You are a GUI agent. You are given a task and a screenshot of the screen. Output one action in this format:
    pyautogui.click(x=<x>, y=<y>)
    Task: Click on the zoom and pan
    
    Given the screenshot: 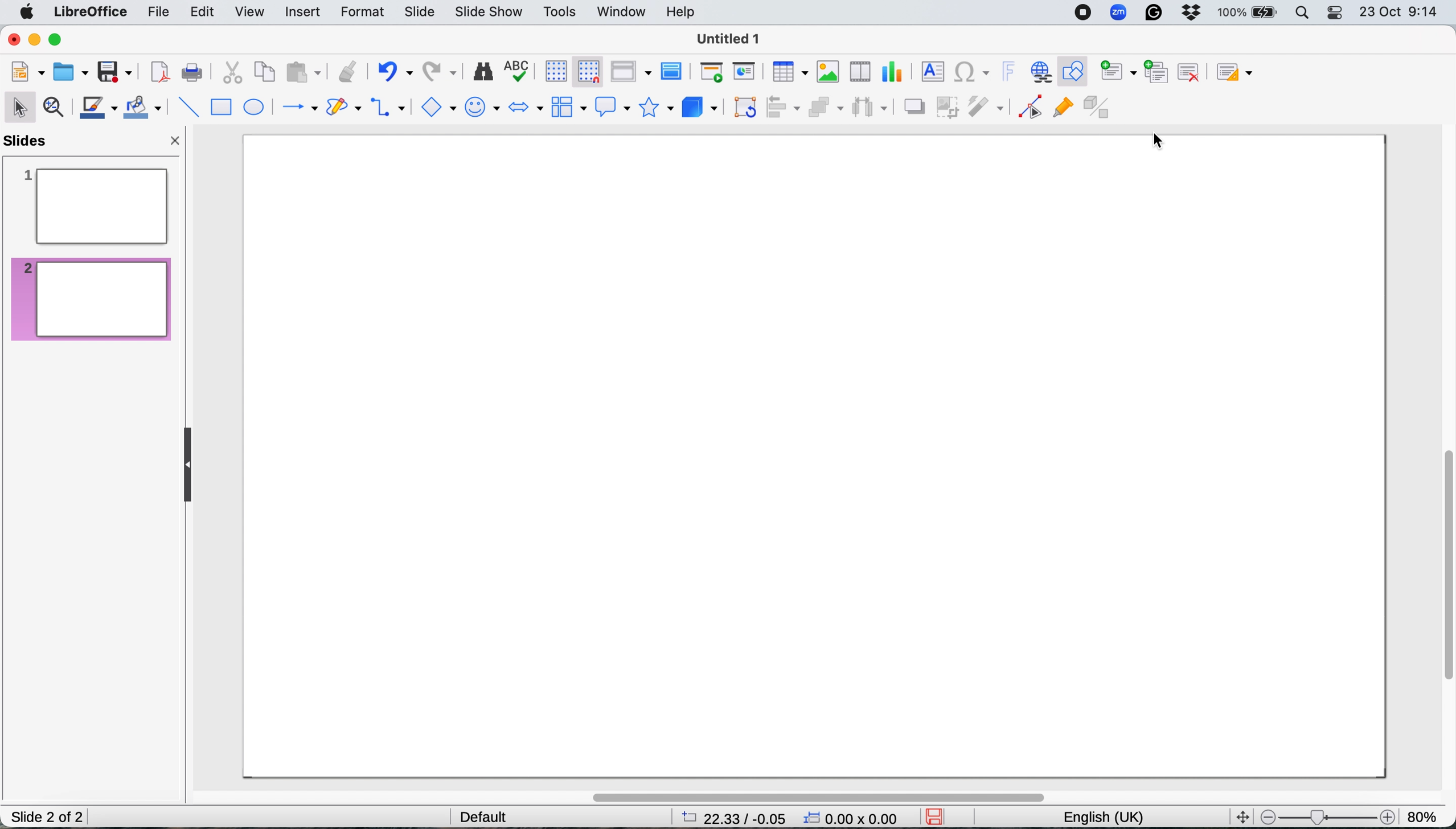 What is the action you would take?
    pyautogui.click(x=55, y=109)
    